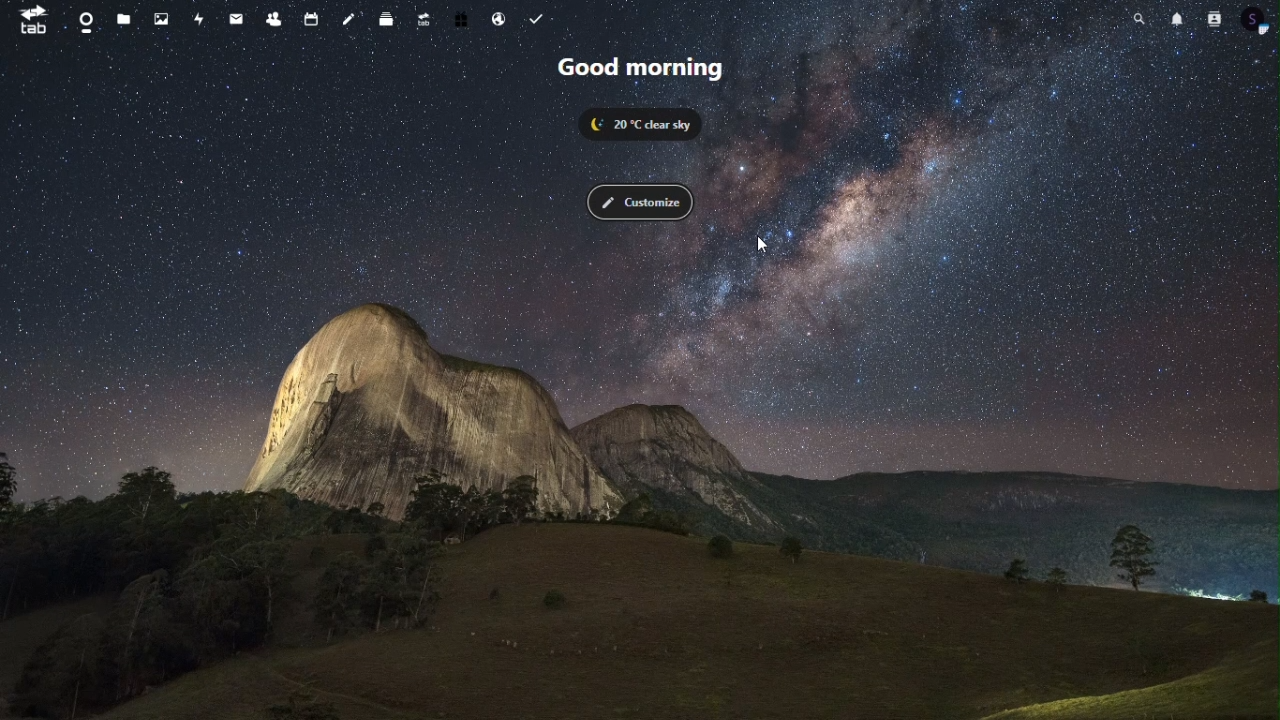 This screenshot has height=720, width=1280. Describe the element at coordinates (500, 21) in the screenshot. I see `mail hosting` at that location.